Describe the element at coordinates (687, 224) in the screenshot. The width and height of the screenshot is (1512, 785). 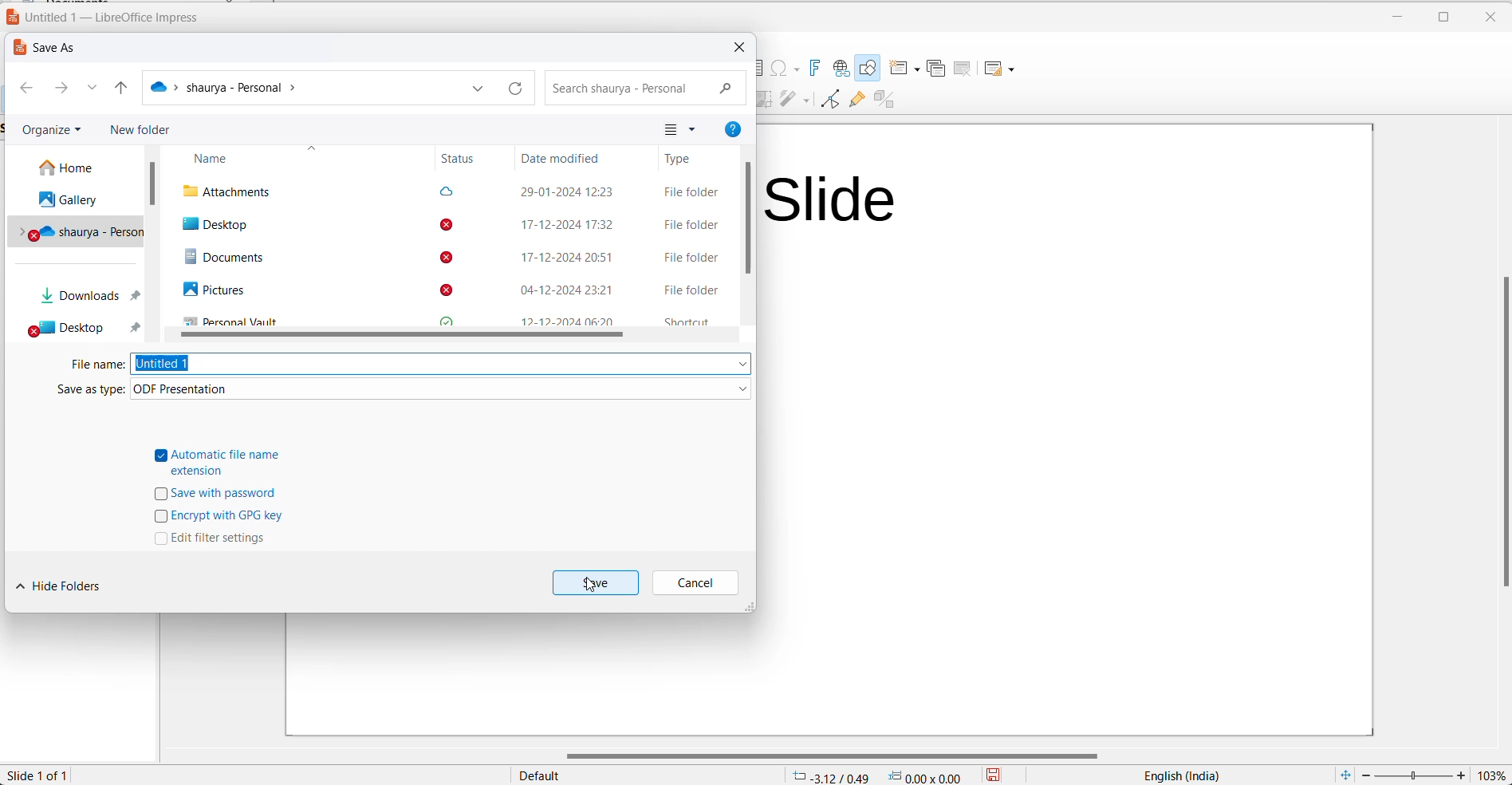
I see `File folder` at that location.